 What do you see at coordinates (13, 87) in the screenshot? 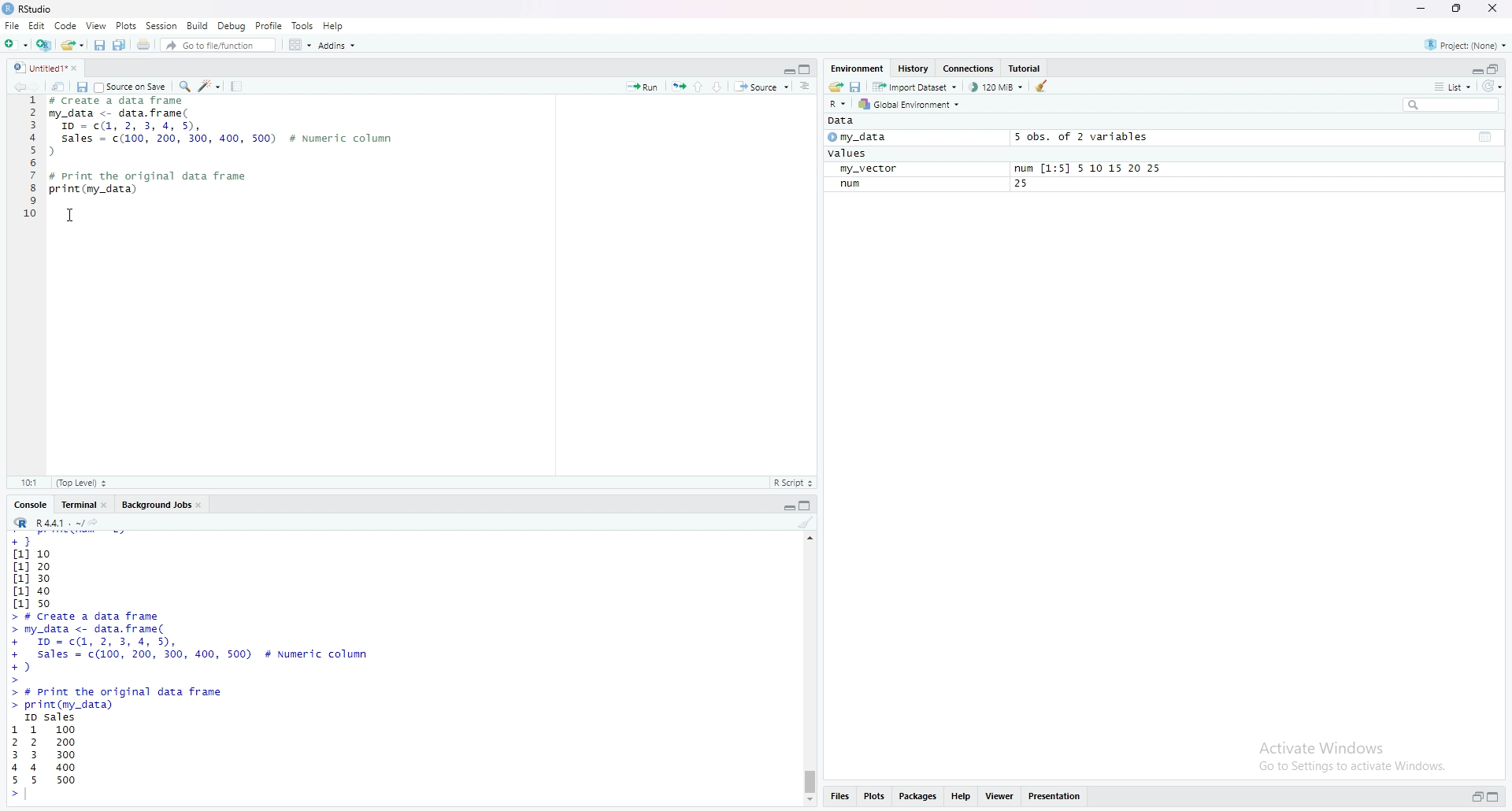
I see `Go back to the previous source location` at bounding box center [13, 87].